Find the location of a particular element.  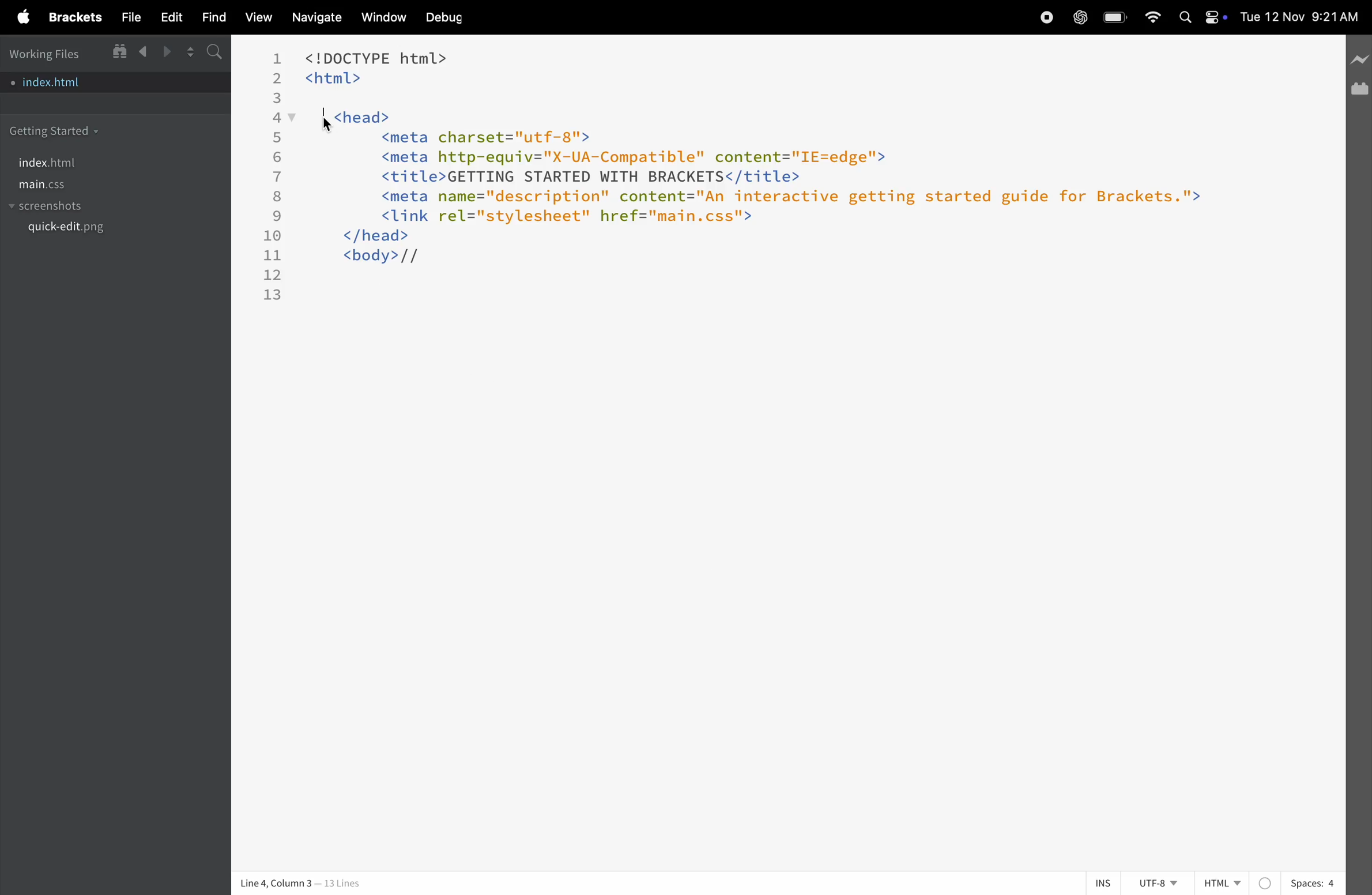

file is located at coordinates (126, 17).